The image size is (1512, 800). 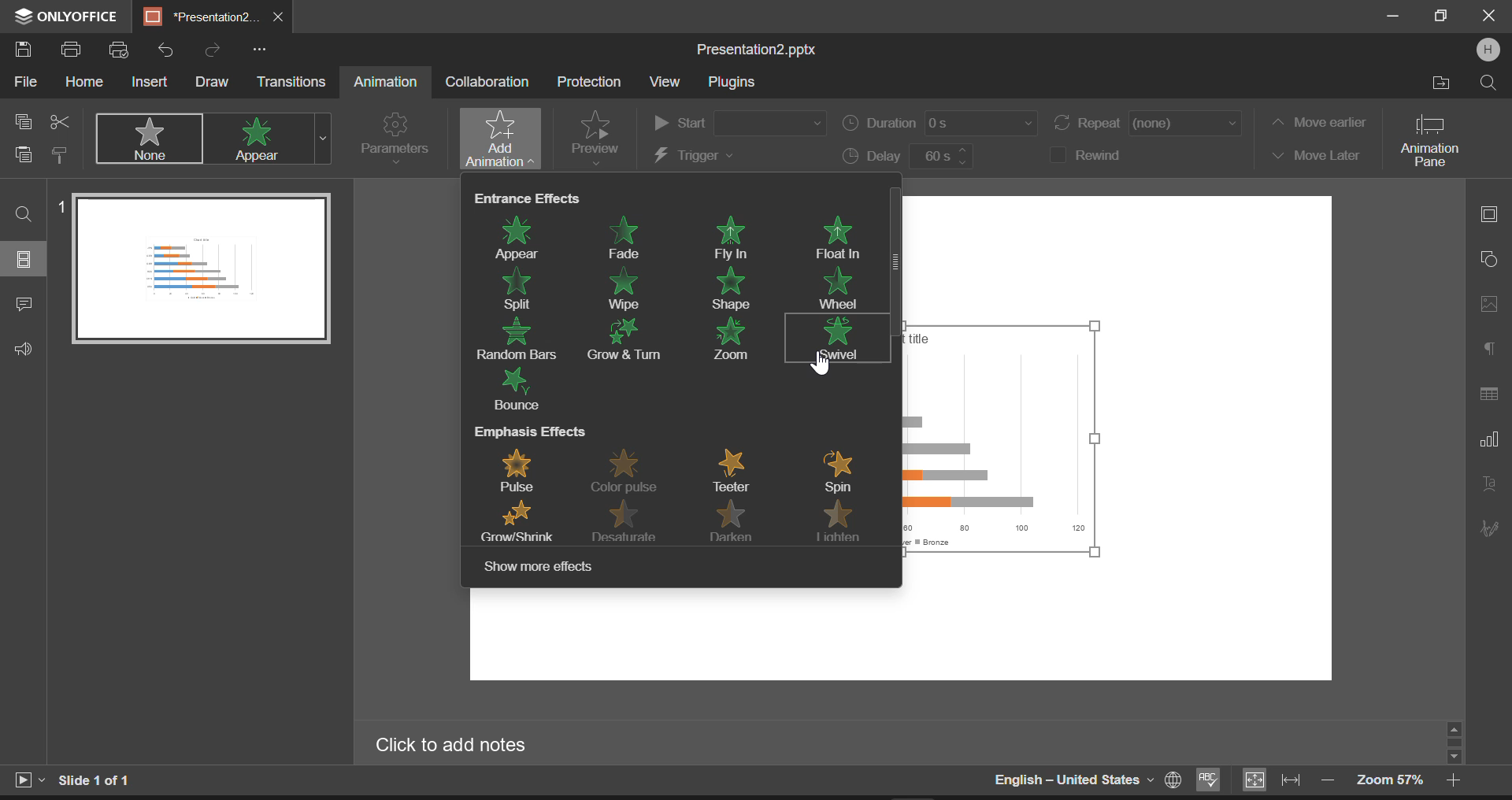 What do you see at coordinates (1390, 780) in the screenshot?
I see `Zoom 57%` at bounding box center [1390, 780].